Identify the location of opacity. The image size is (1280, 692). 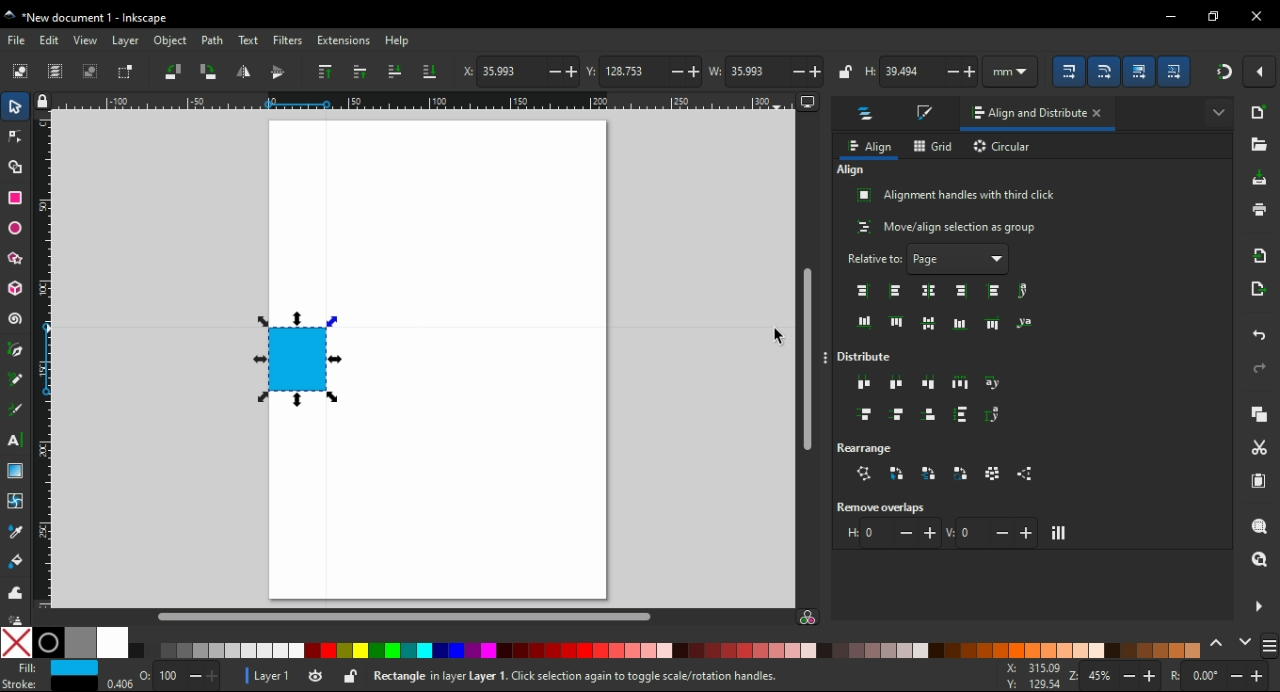
(164, 678).